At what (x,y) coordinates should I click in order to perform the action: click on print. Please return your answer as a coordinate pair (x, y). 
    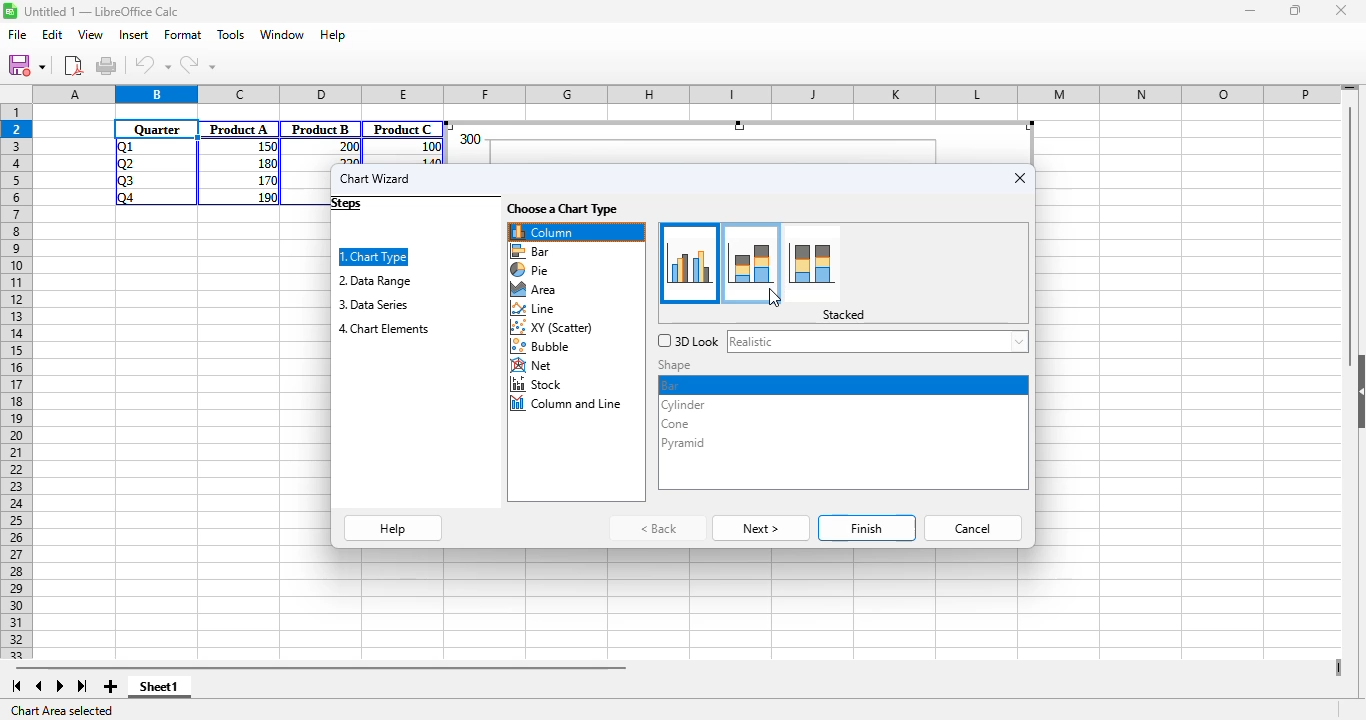
    Looking at the image, I should click on (106, 65).